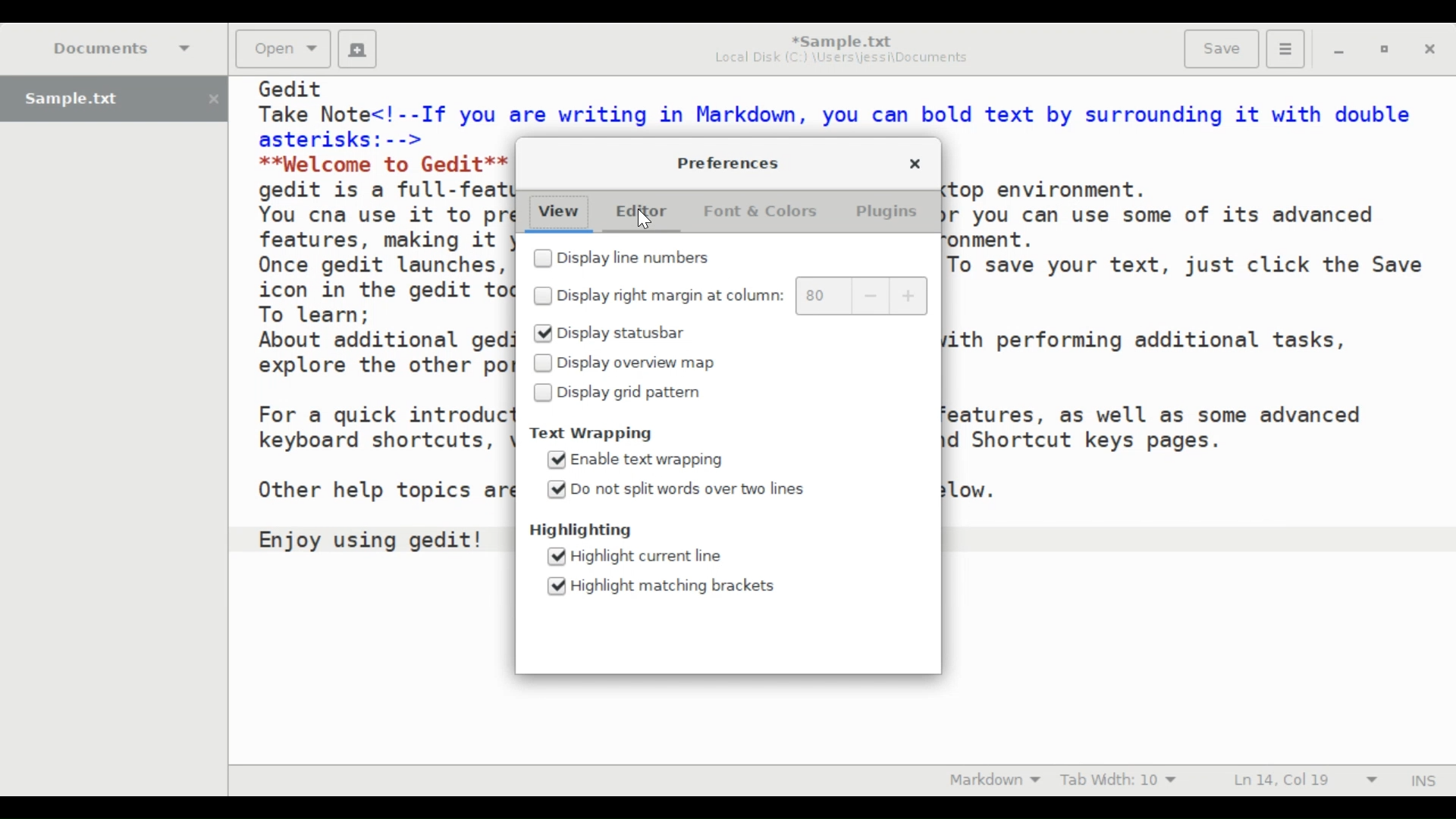 The width and height of the screenshot is (1456, 819). What do you see at coordinates (622, 392) in the screenshot?
I see `(un)select Display grid pattern` at bounding box center [622, 392].